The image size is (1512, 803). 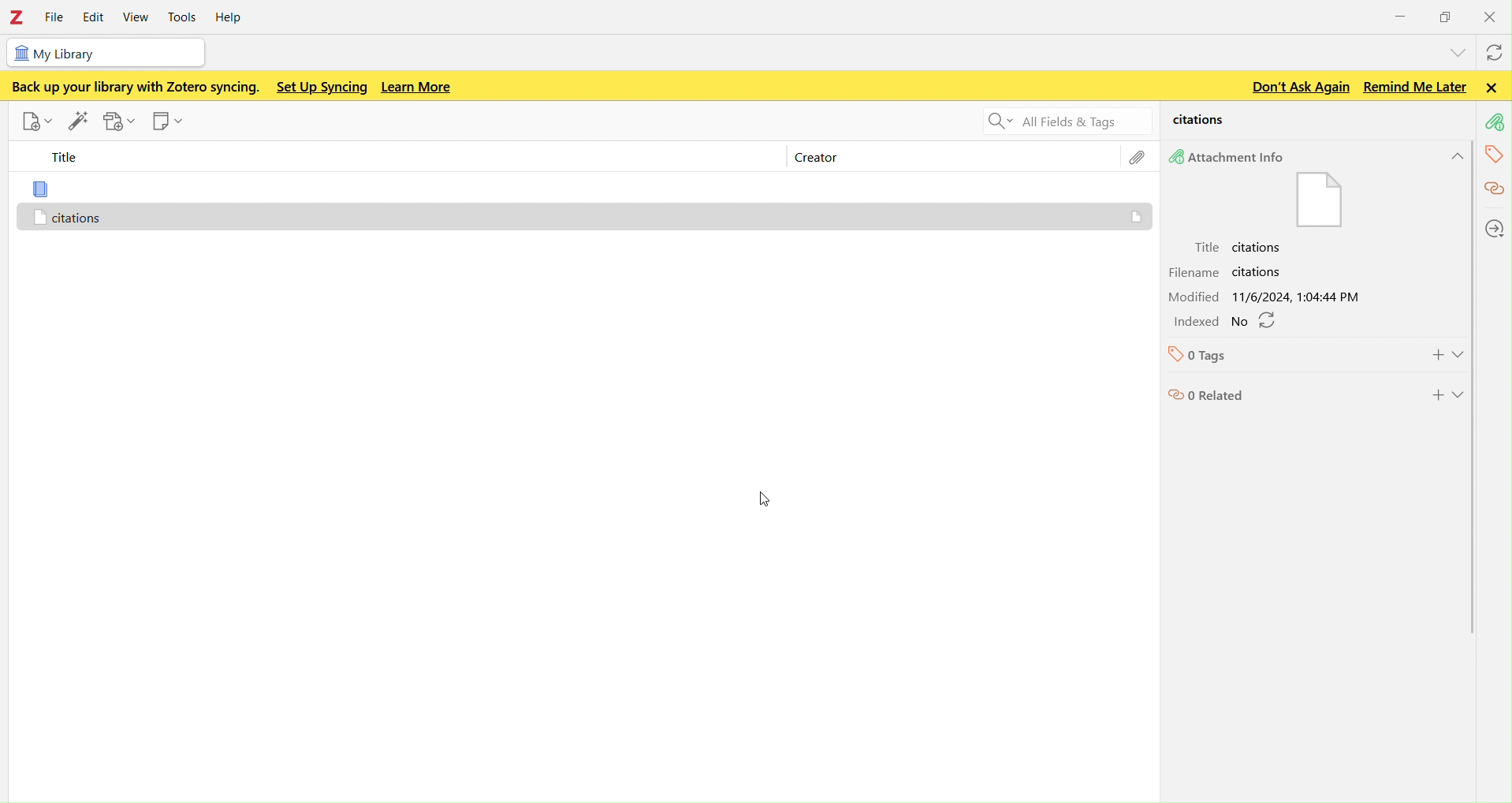 I want to click on Show, so click(x=1454, y=396).